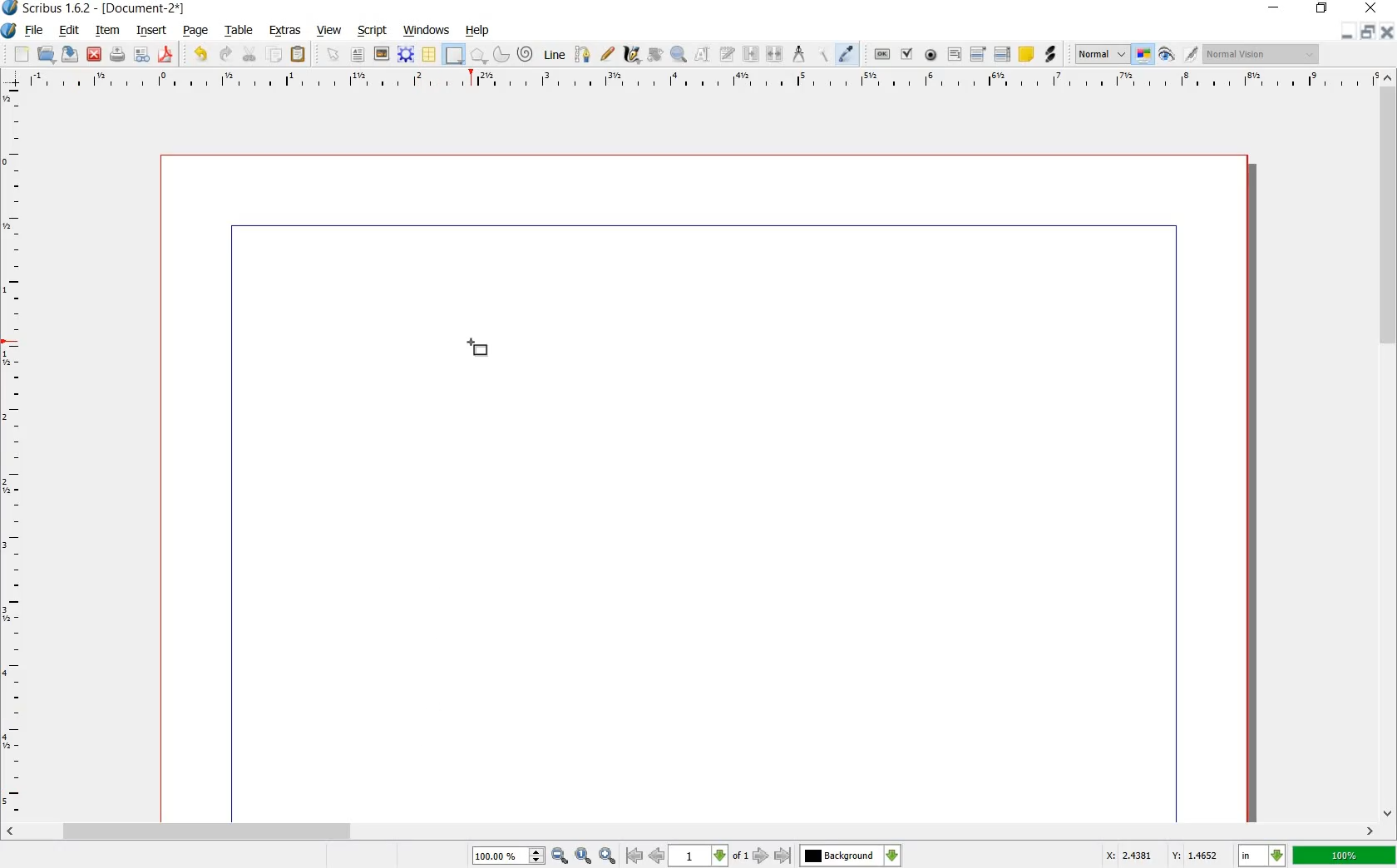  What do you see at coordinates (1167, 55) in the screenshot?
I see `PREVIEW MODE` at bounding box center [1167, 55].